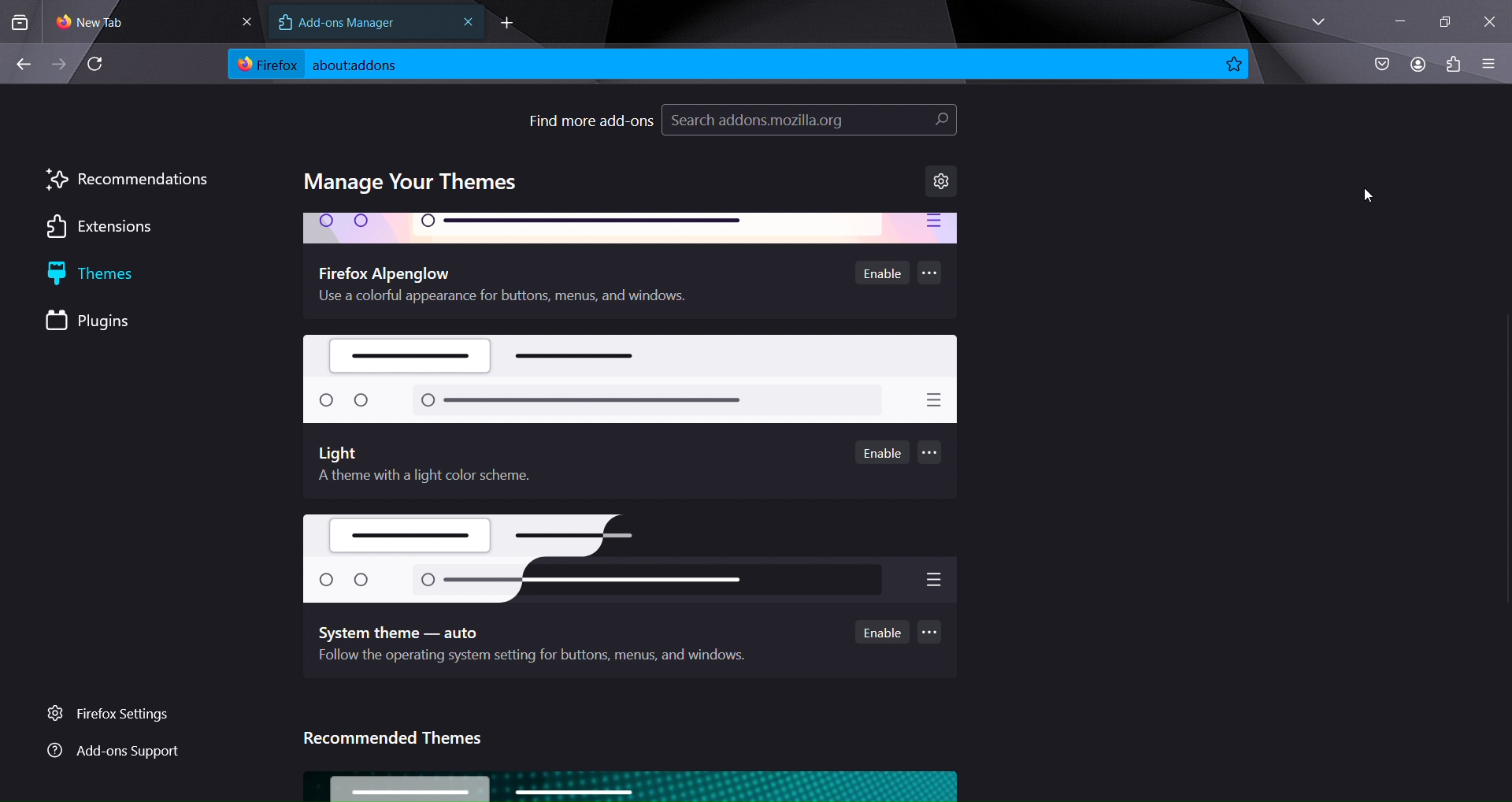 The height and width of the screenshot is (802, 1512). Describe the element at coordinates (113, 752) in the screenshot. I see `add ons support` at that location.